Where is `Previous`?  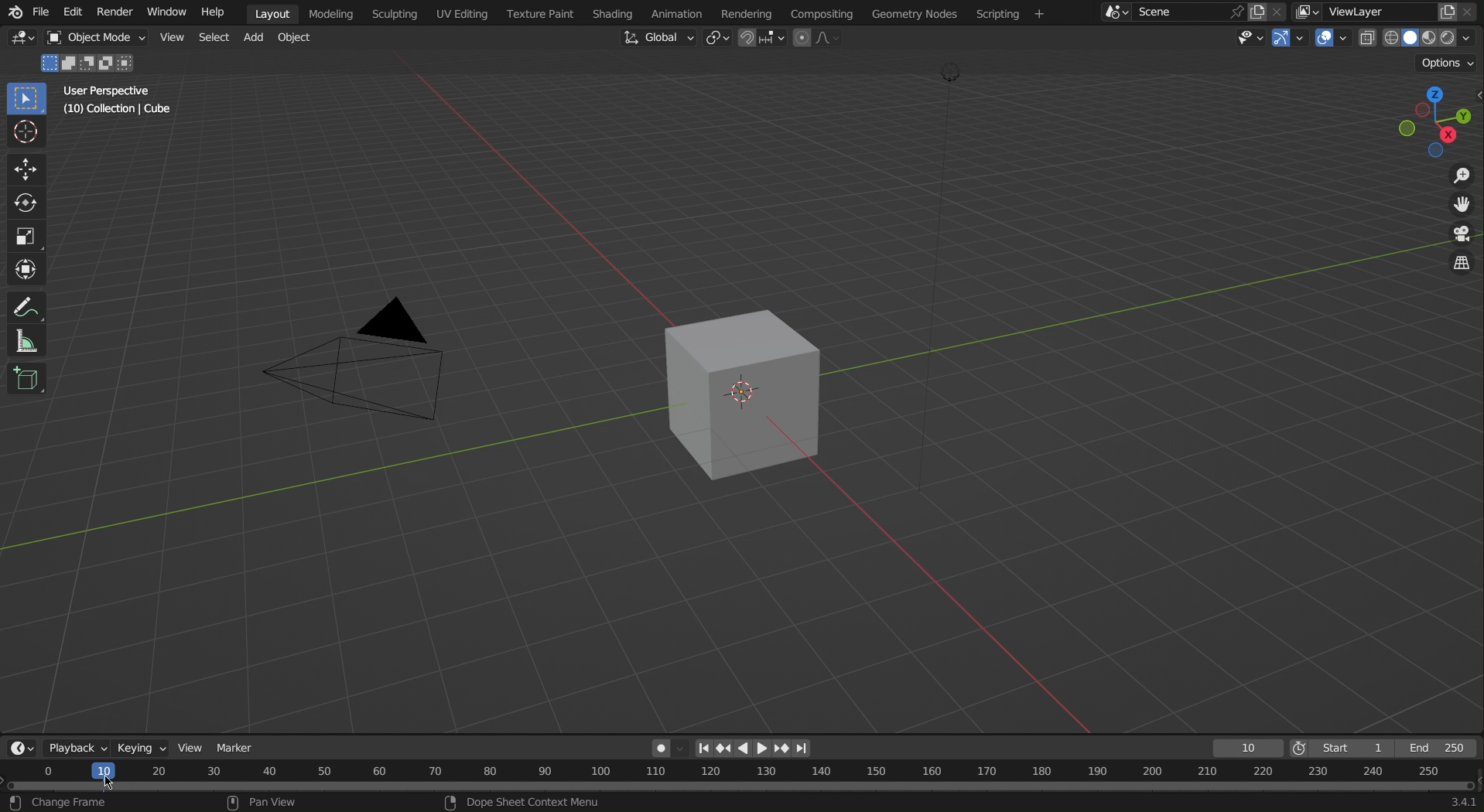 Previous is located at coordinates (725, 748).